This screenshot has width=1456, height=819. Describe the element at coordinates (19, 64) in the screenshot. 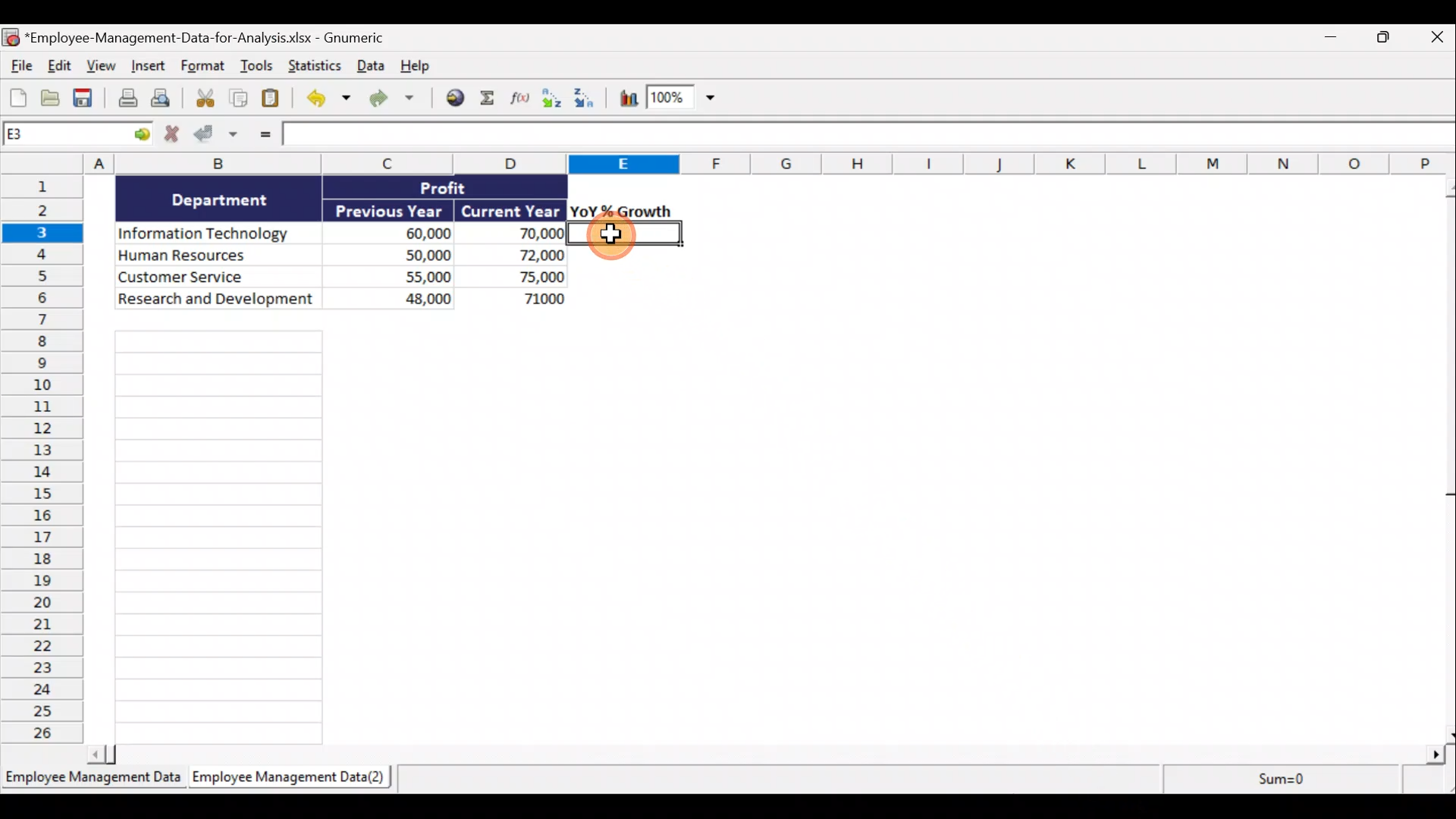

I see `File` at that location.